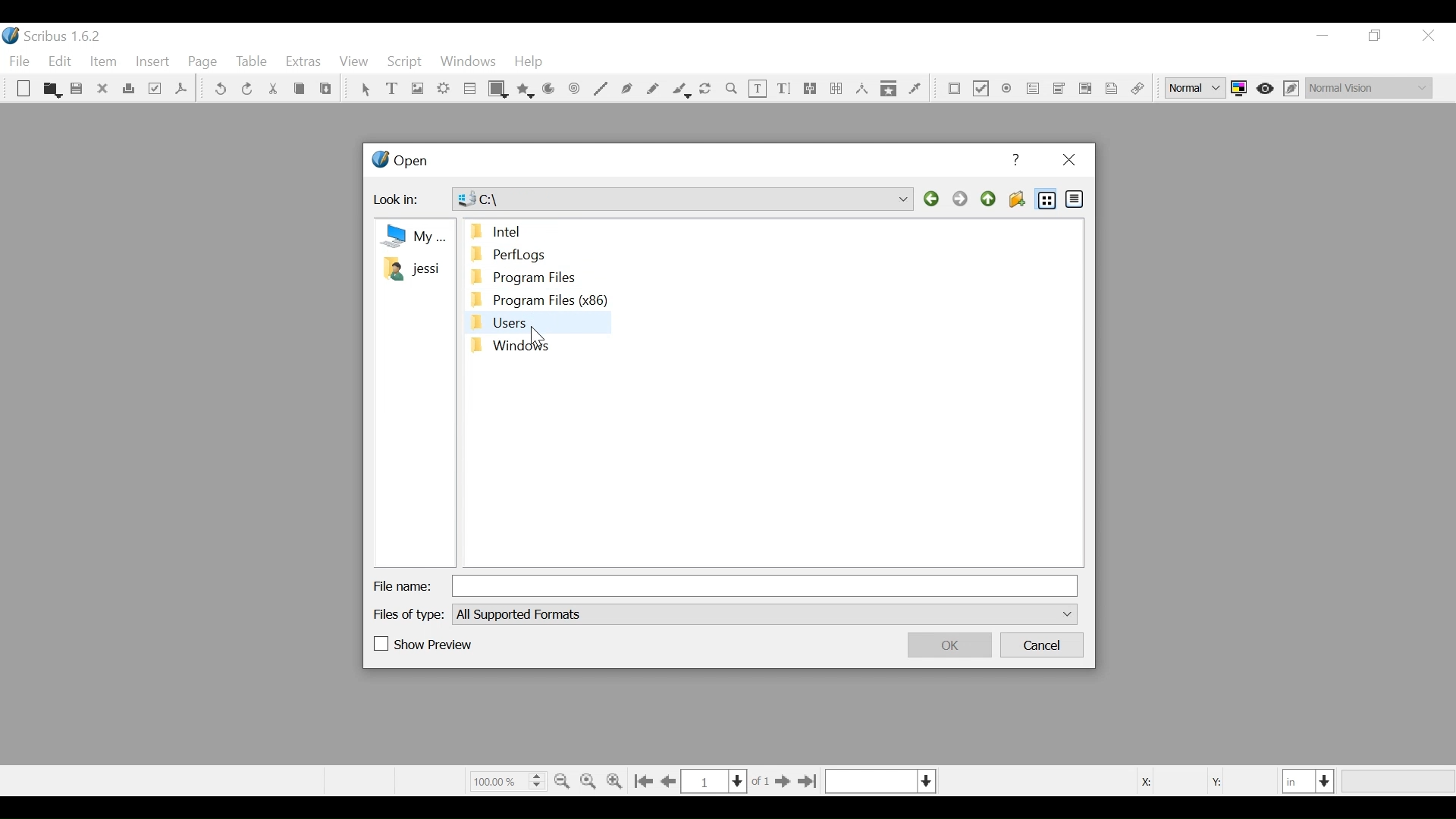 The height and width of the screenshot is (819, 1456). I want to click on Edit, so click(61, 62).